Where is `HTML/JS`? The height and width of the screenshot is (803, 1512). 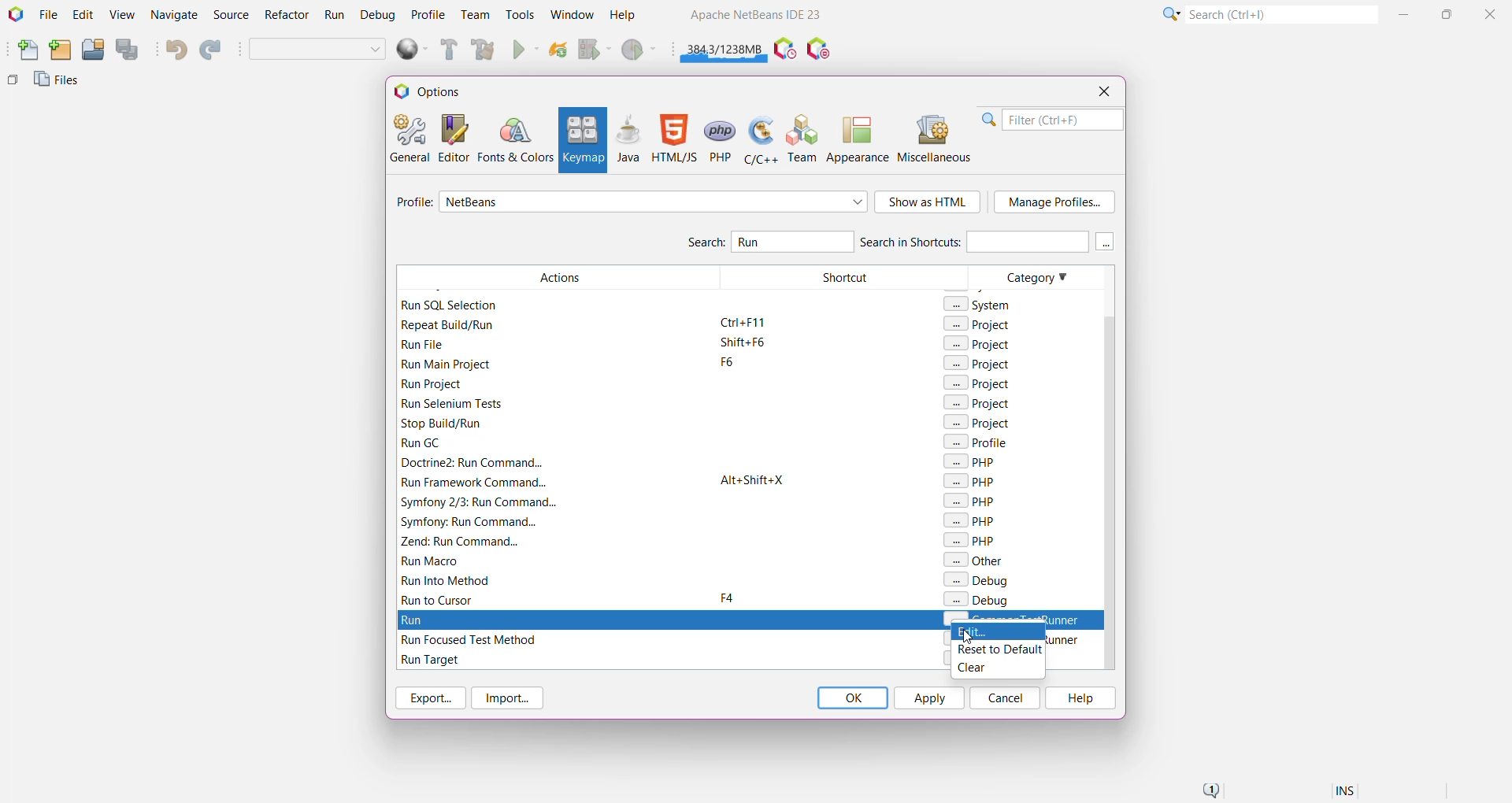 HTML/JS is located at coordinates (673, 139).